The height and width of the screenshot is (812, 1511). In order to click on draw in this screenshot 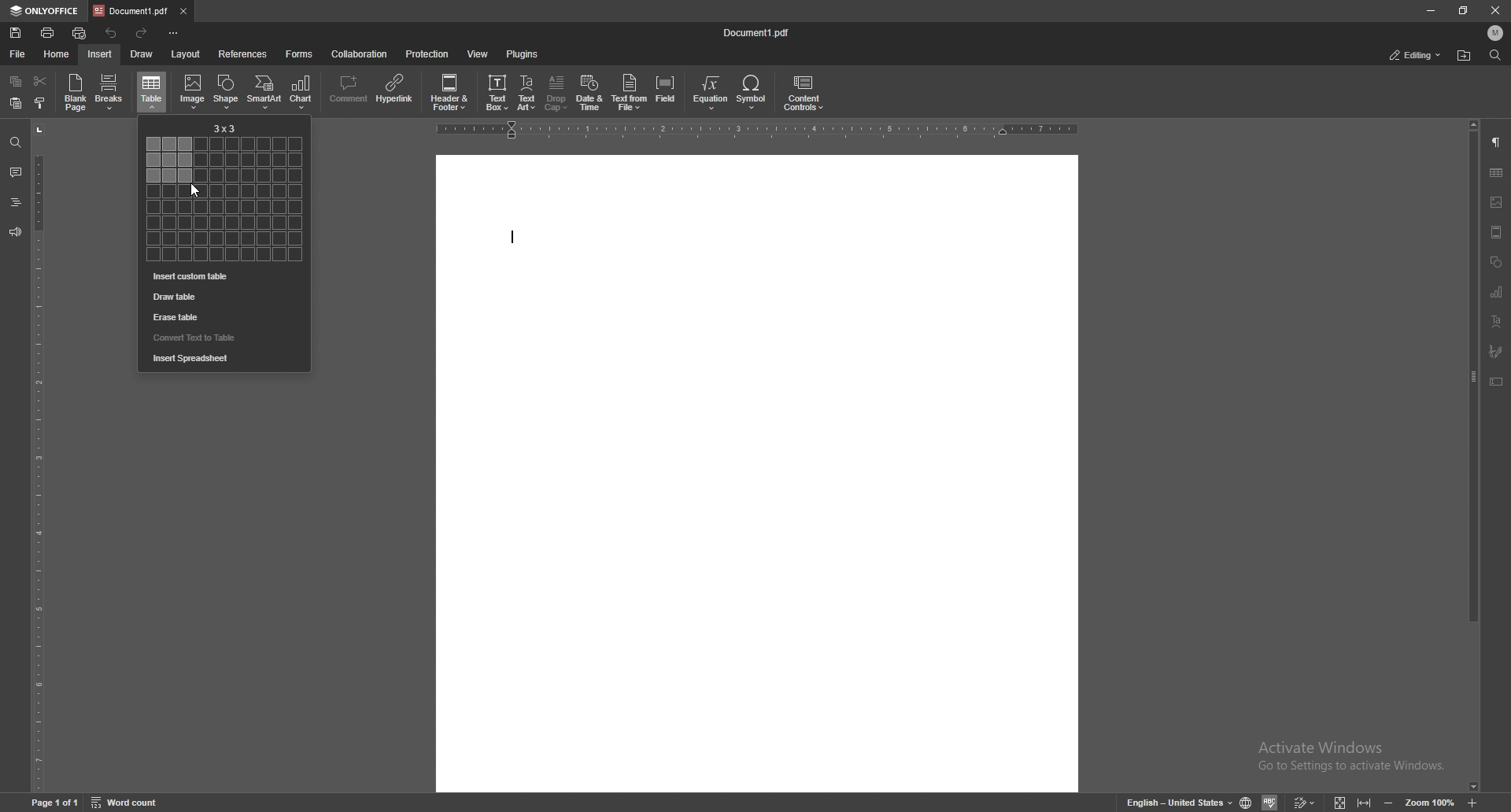, I will do `click(142, 54)`.